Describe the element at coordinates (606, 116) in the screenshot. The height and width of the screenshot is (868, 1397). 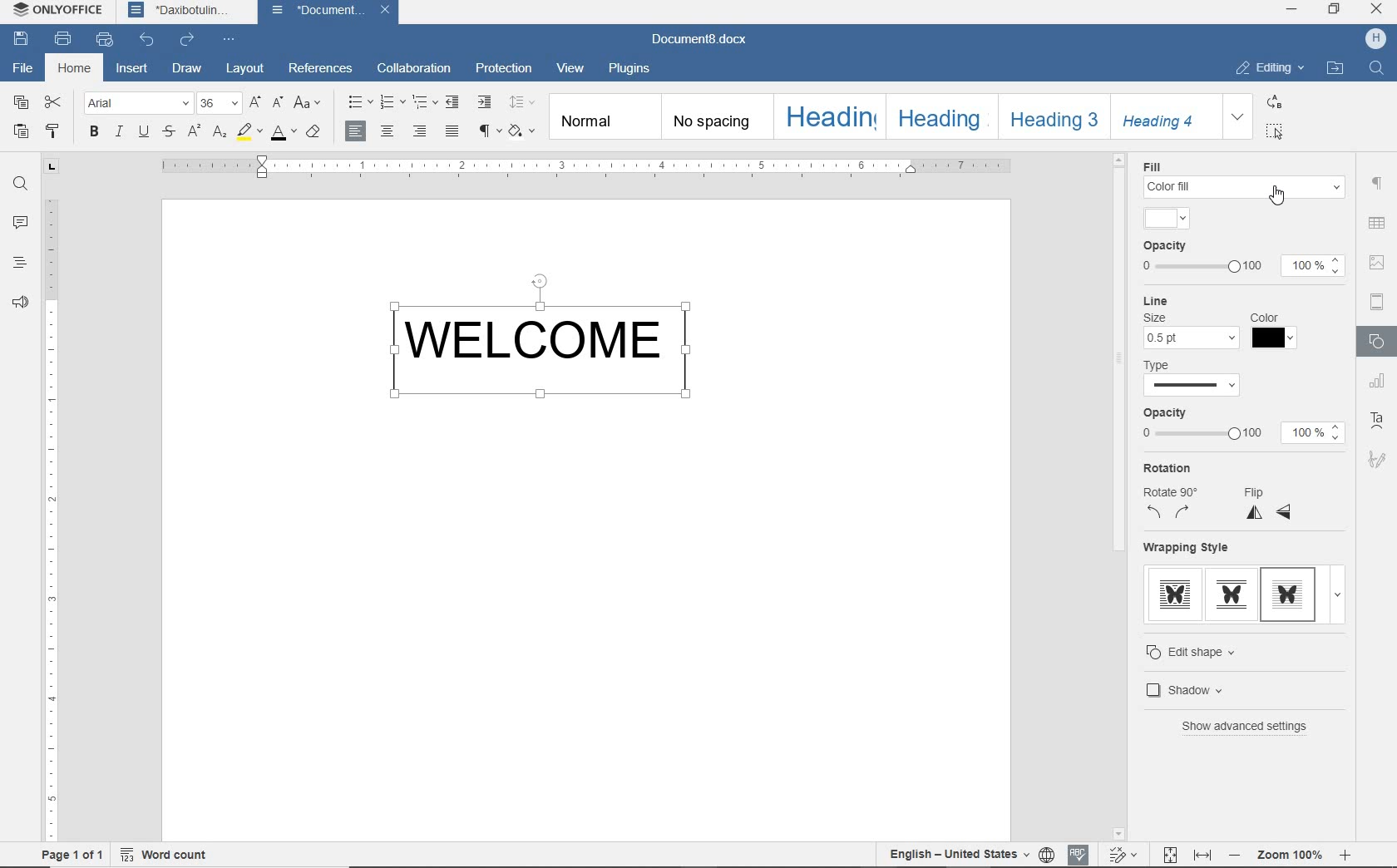
I see `NORMAL` at that location.